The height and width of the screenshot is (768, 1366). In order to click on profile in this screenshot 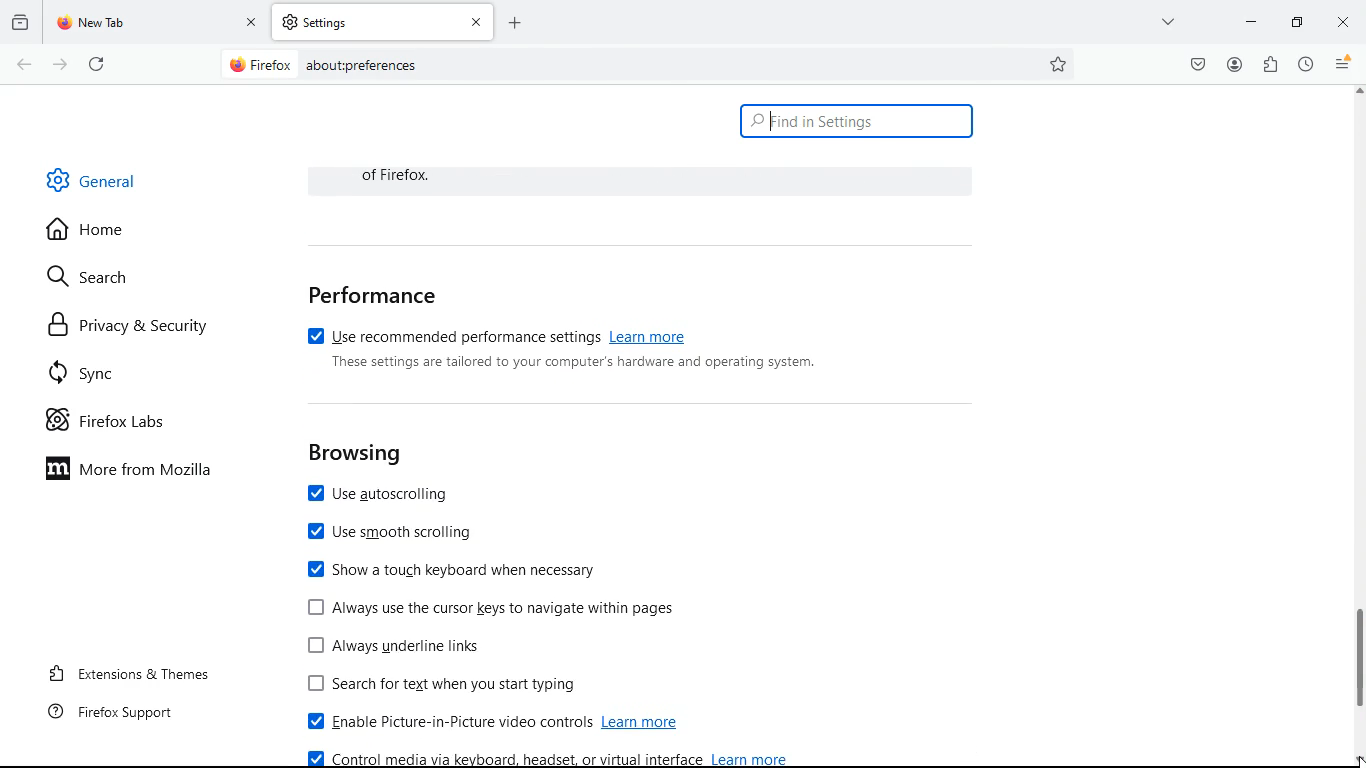, I will do `click(1234, 64)`.